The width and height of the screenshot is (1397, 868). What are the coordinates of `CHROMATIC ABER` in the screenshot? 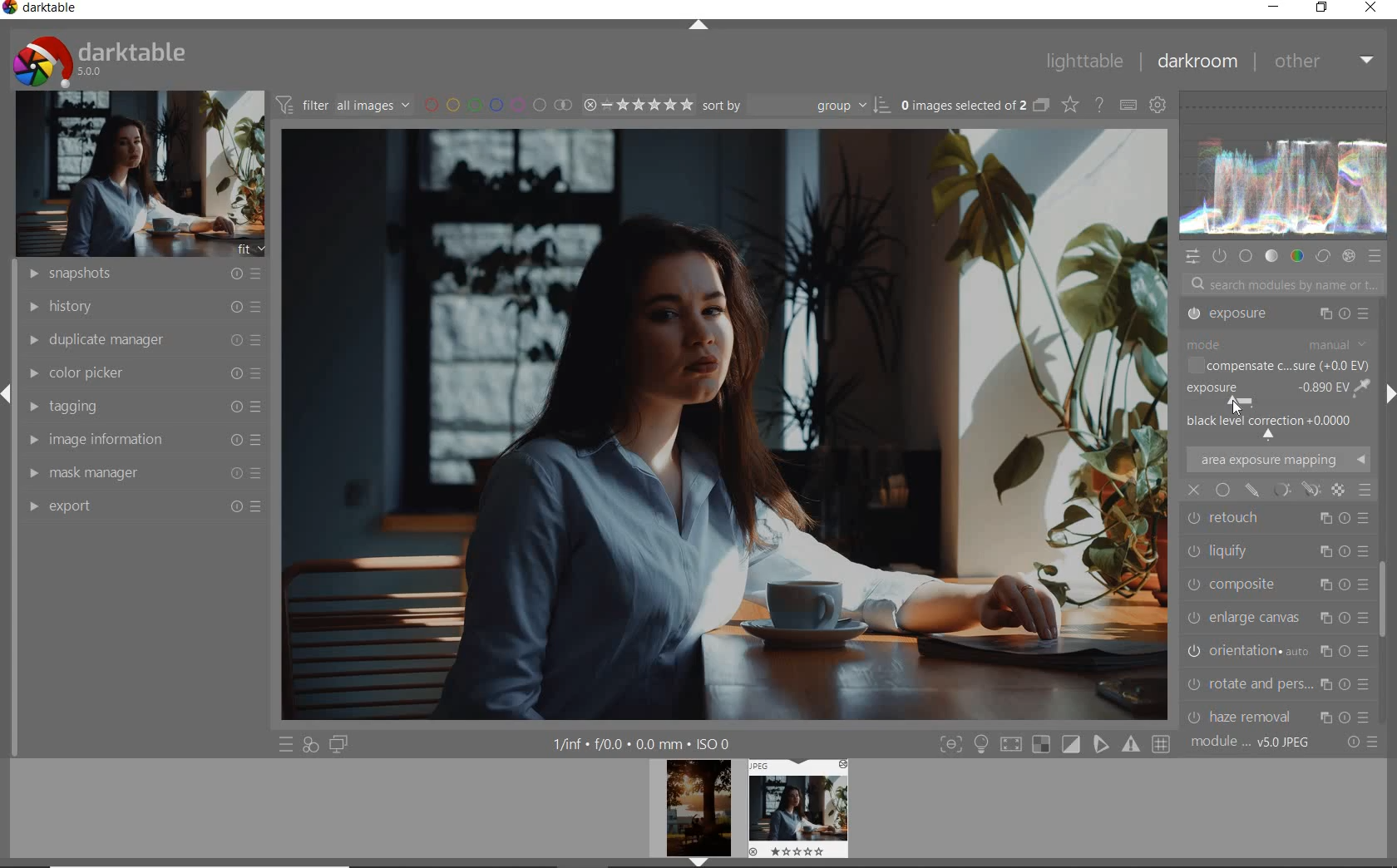 It's located at (1276, 650).